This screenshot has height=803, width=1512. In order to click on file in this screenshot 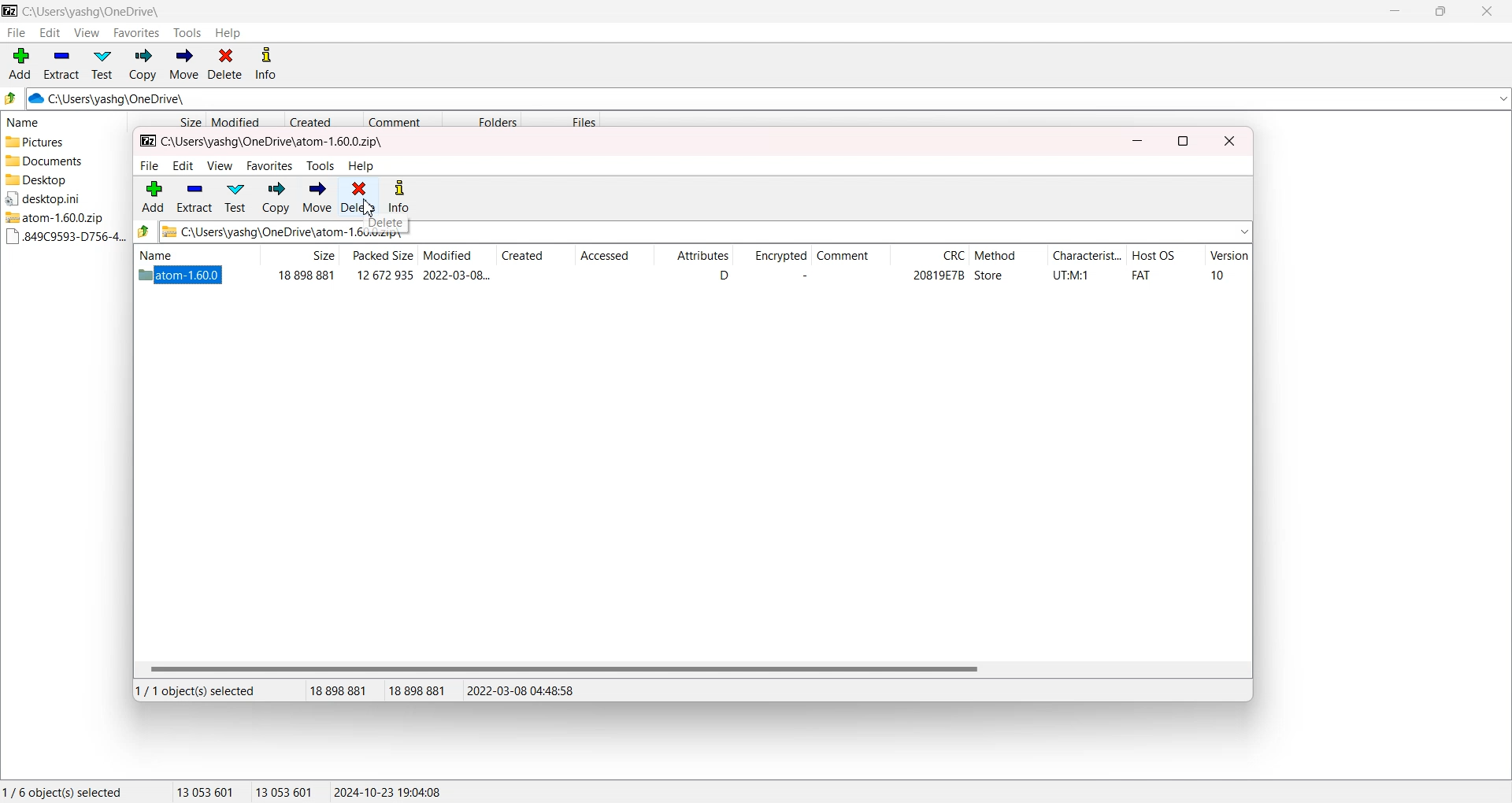, I will do `click(149, 166)`.